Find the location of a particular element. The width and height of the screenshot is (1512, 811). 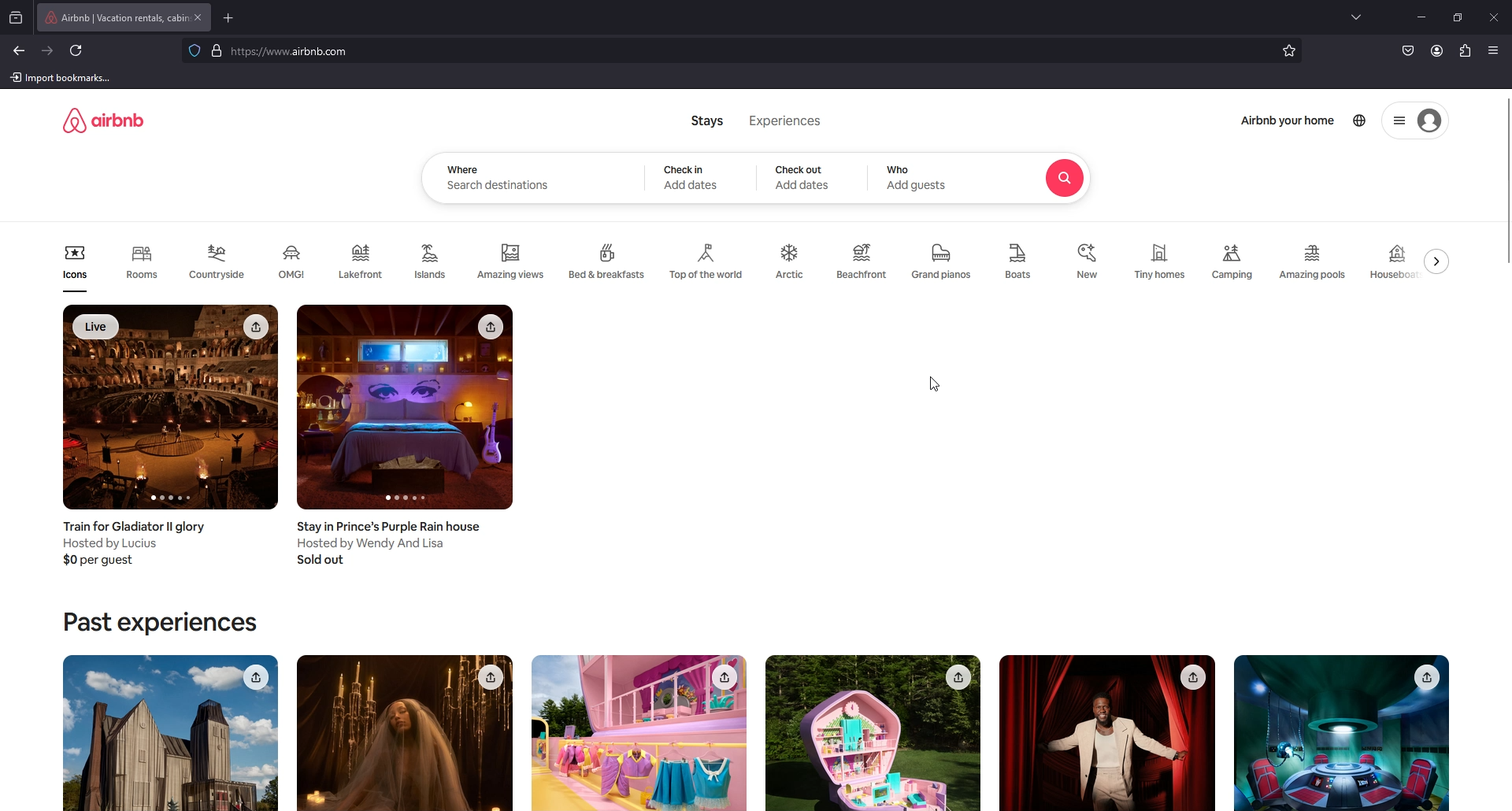

image is located at coordinates (873, 733).